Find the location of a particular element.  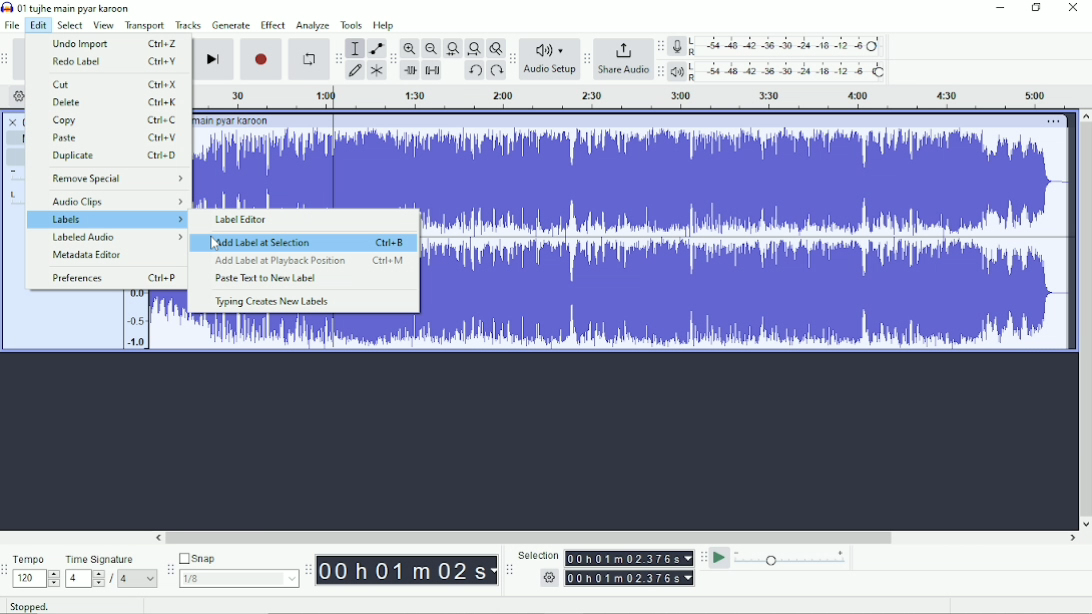

Audacity playback meter toolbar is located at coordinates (660, 72).